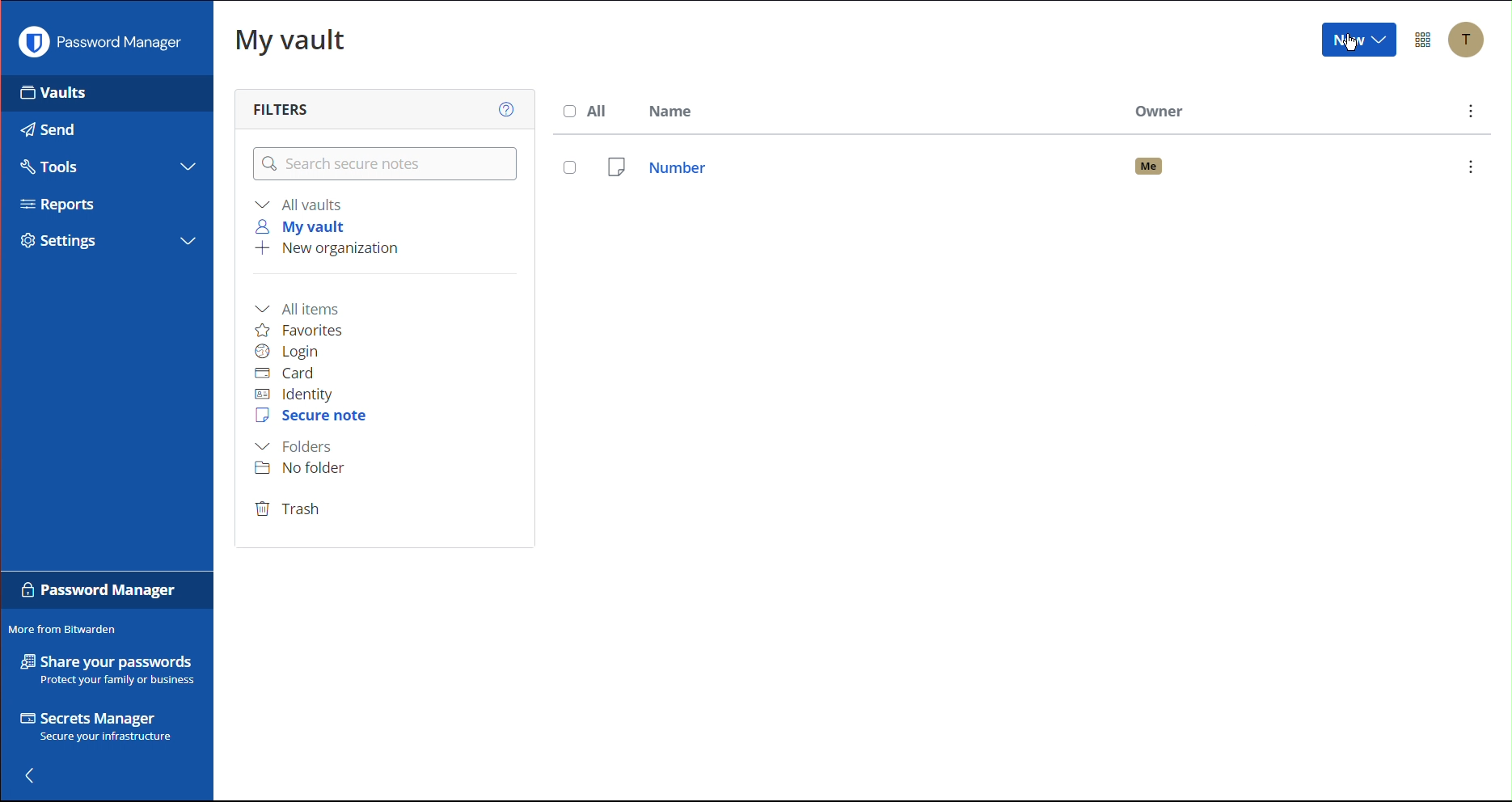 The width and height of the screenshot is (1512, 802). What do you see at coordinates (1349, 44) in the screenshot?
I see `Cursor` at bounding box center [1349, 44].